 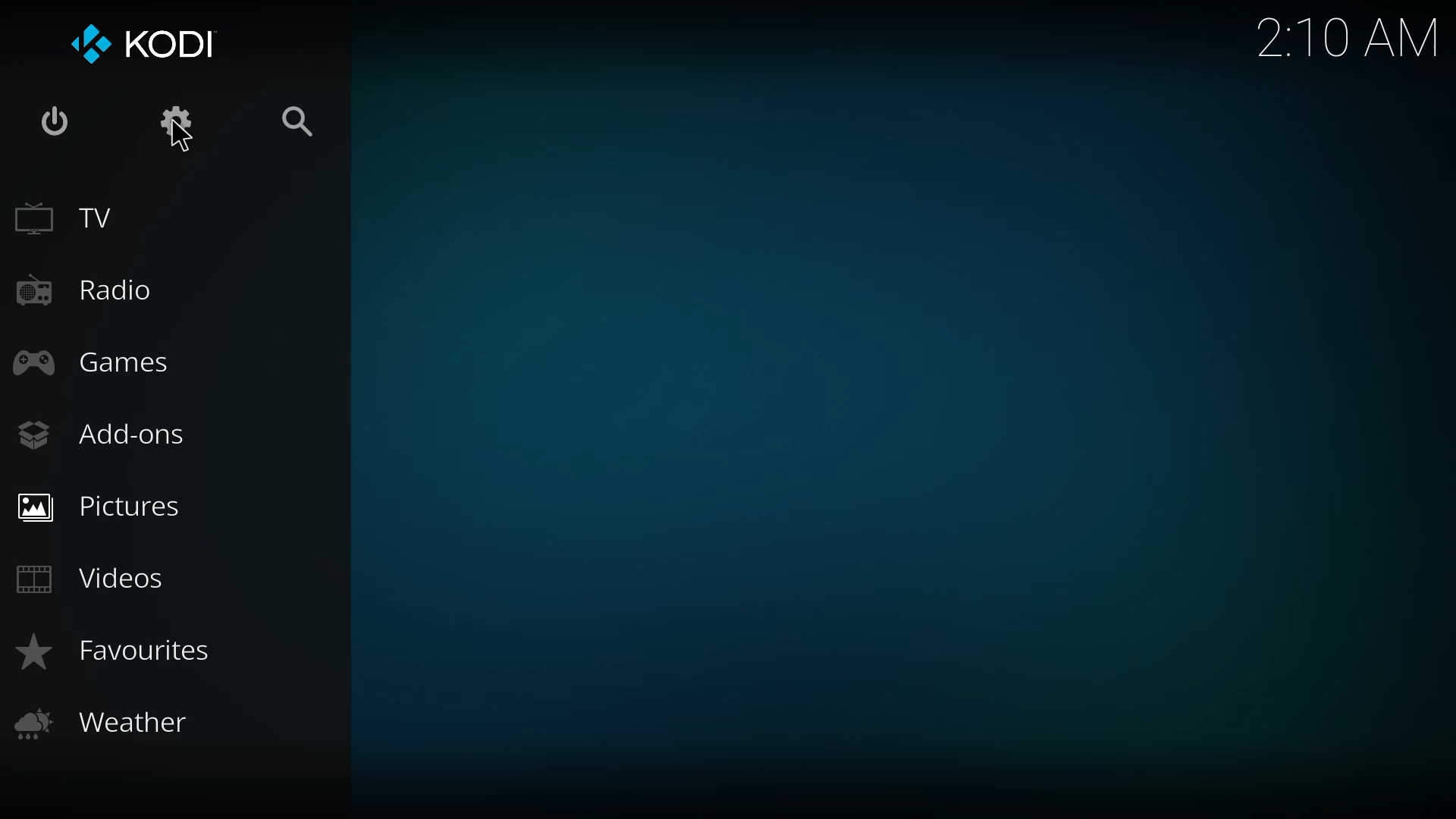 What do you see at coordinates (99, 579) in the screenshot?
I see `videos` at bounding box center [99, 579].